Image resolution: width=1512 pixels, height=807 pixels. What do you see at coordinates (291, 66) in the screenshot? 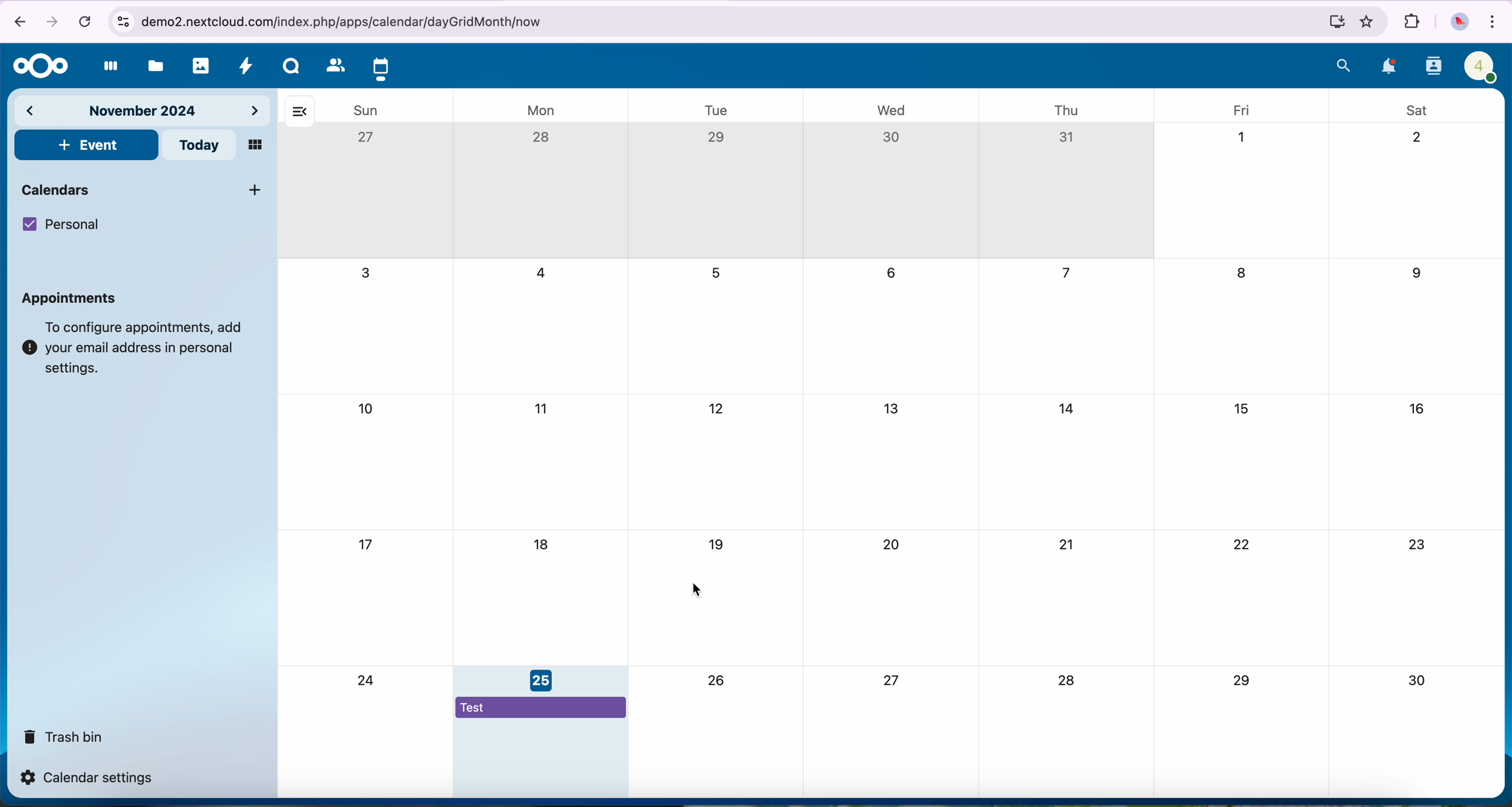
I see `Talk` at bounding box center [291, 66].